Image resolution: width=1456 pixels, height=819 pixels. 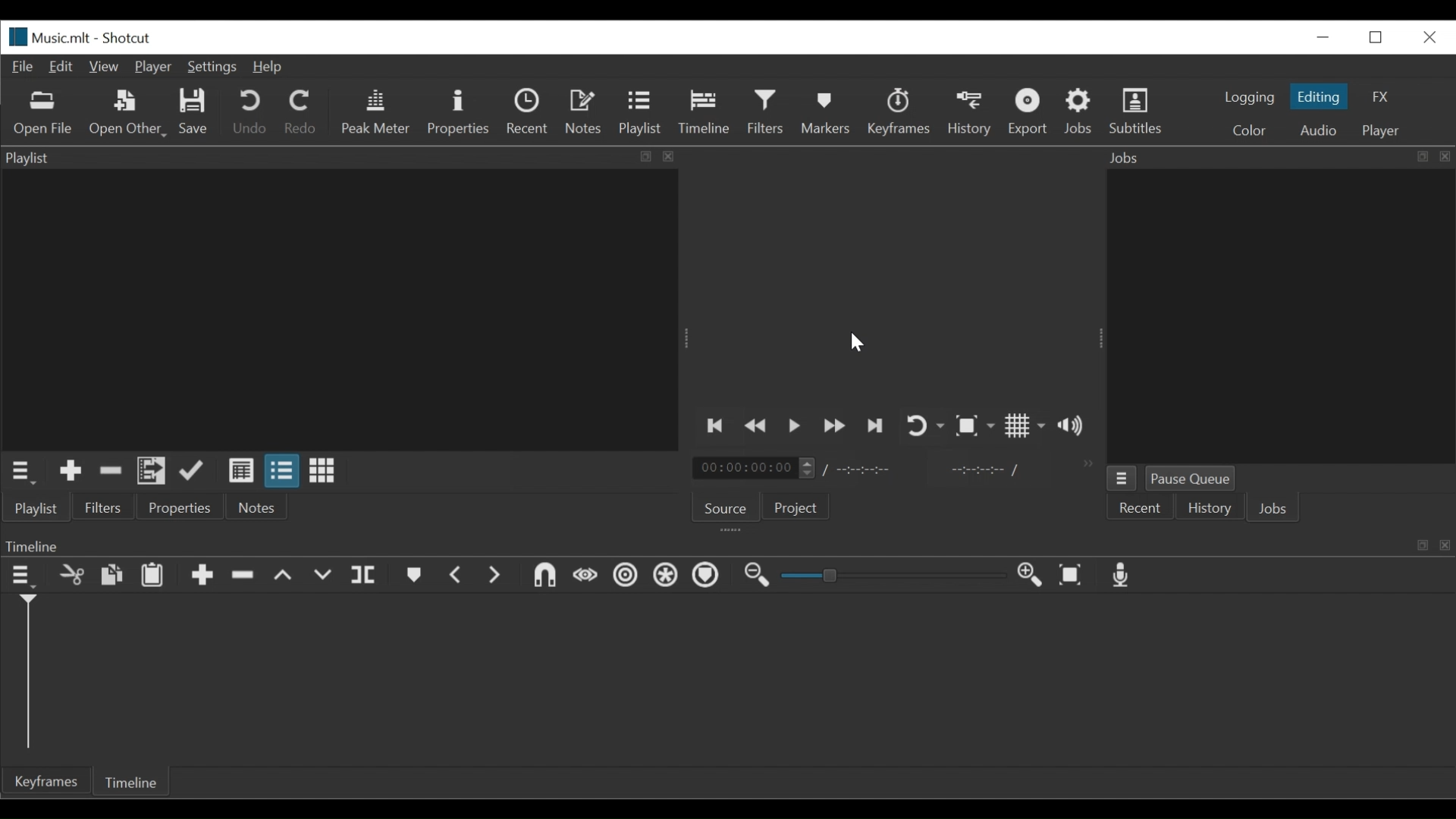 I want to click on Previous marker, so click(x=456, y=573).